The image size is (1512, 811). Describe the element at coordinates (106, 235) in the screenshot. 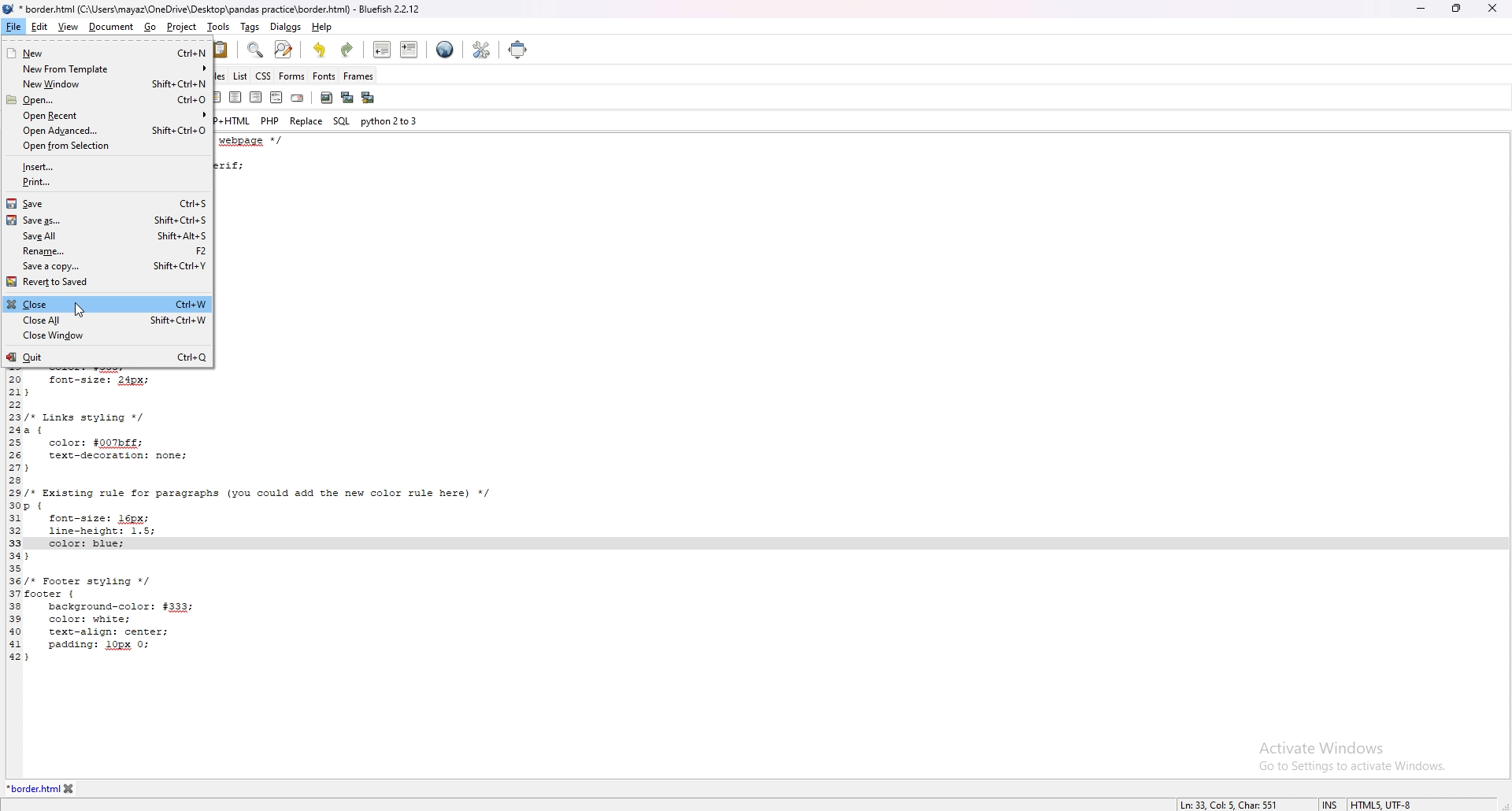

I see `save all` at that location.